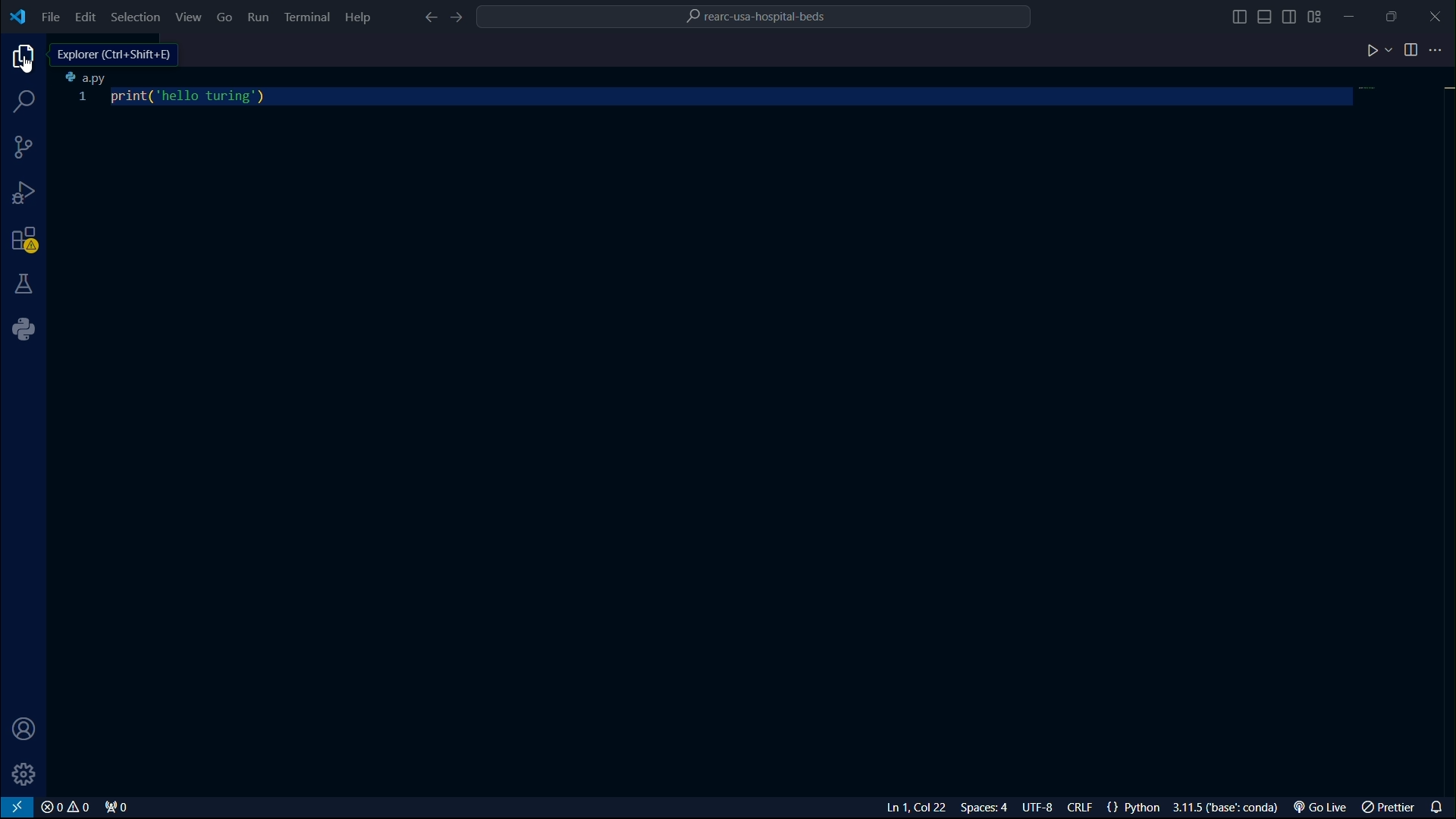 This screenshot has width=1456, height=819. I want to click on selection menu, so click(134, 14).